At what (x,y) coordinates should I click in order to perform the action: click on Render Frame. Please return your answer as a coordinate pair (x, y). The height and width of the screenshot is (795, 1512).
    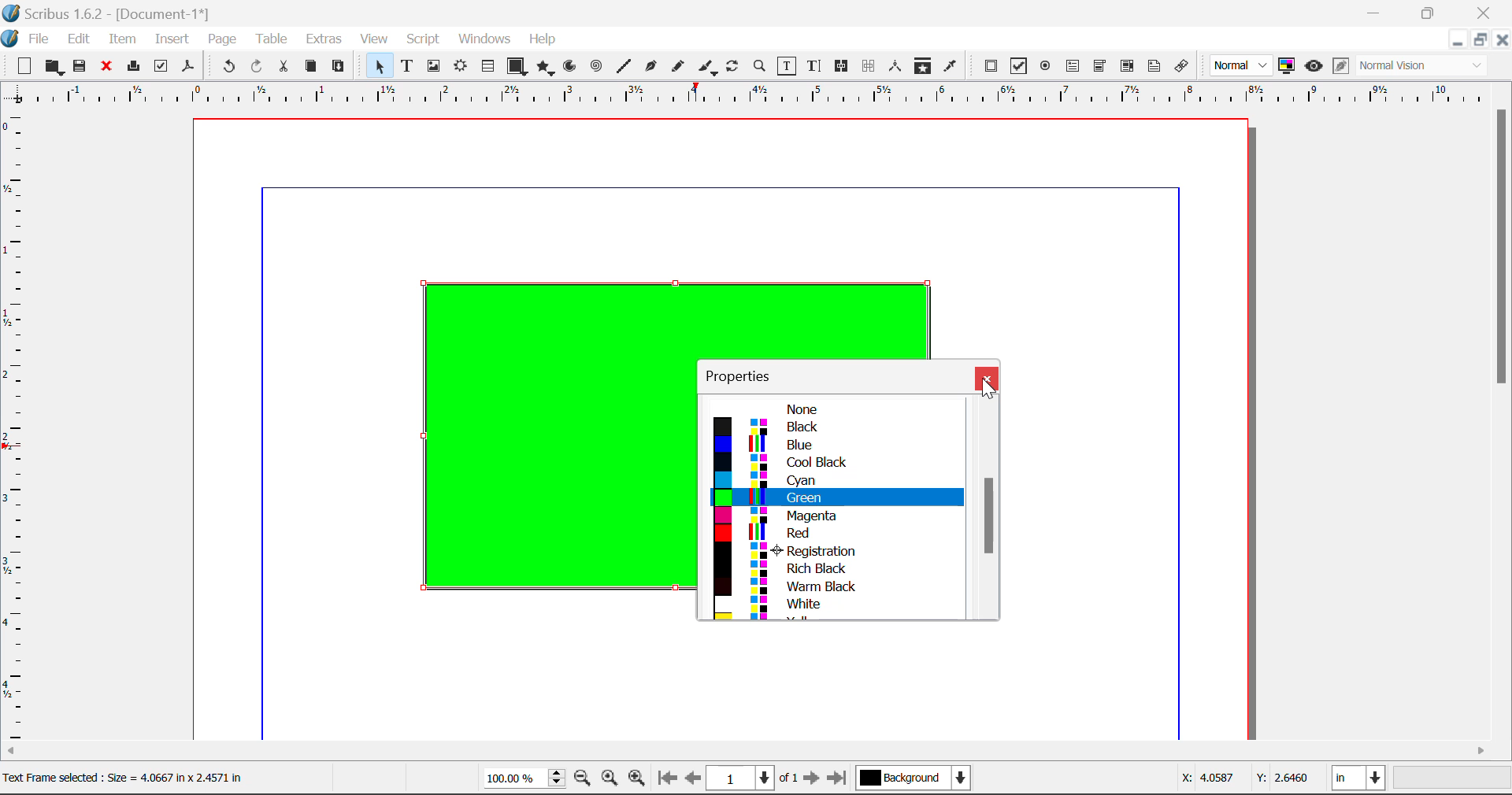
    Looking at the image, I should click on (460, 67).